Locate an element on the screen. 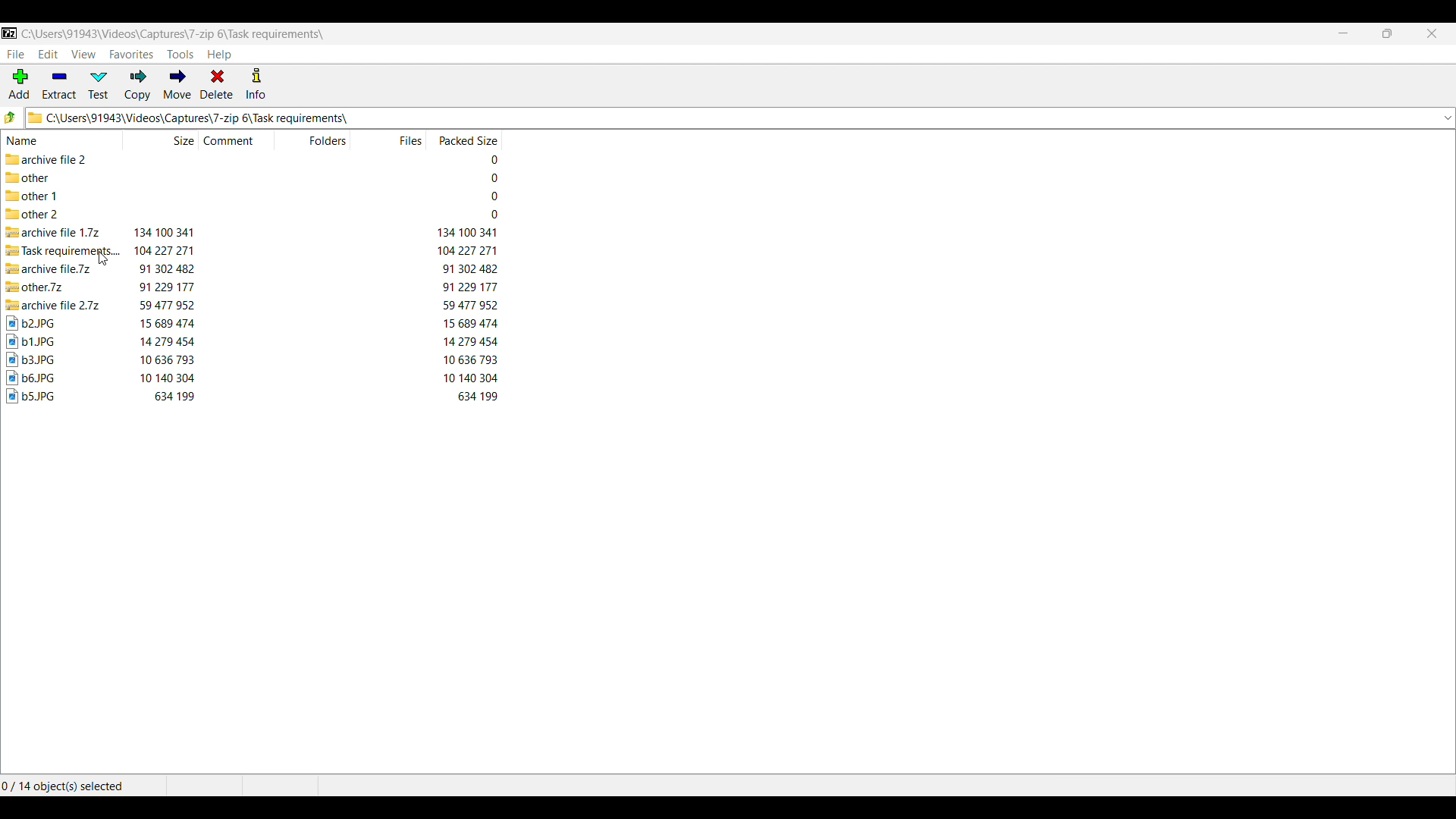 The width and height of the screenshot is (1456, 819). packed size is located at coordinates (463, 268).